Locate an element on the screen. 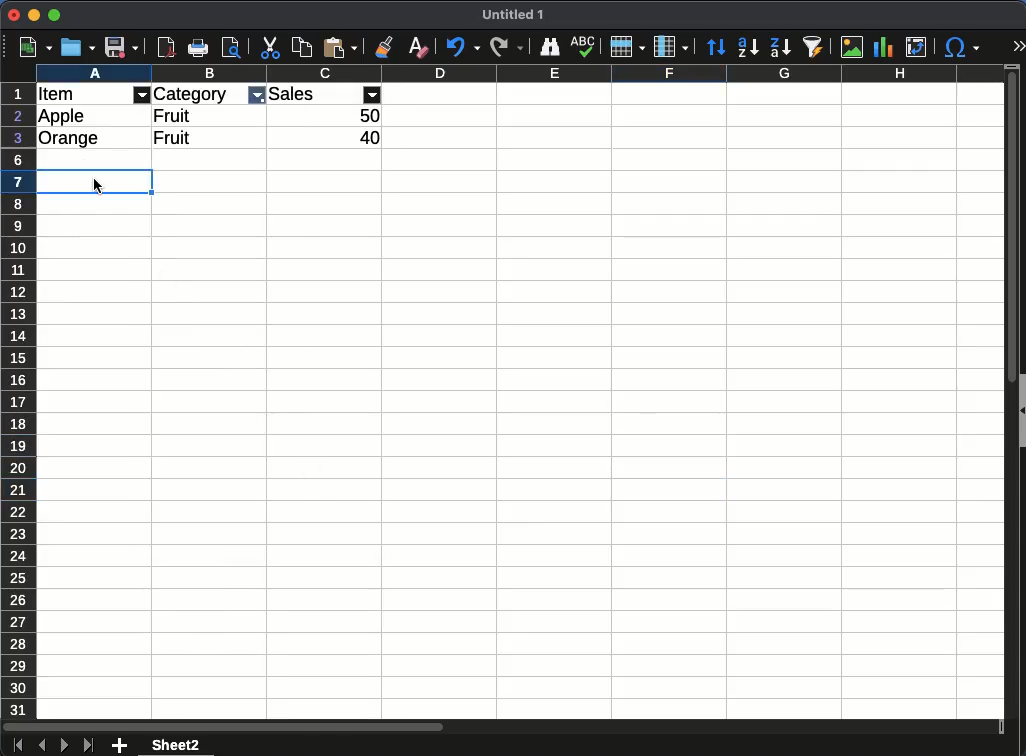  image is located at coordinates (853, 46).